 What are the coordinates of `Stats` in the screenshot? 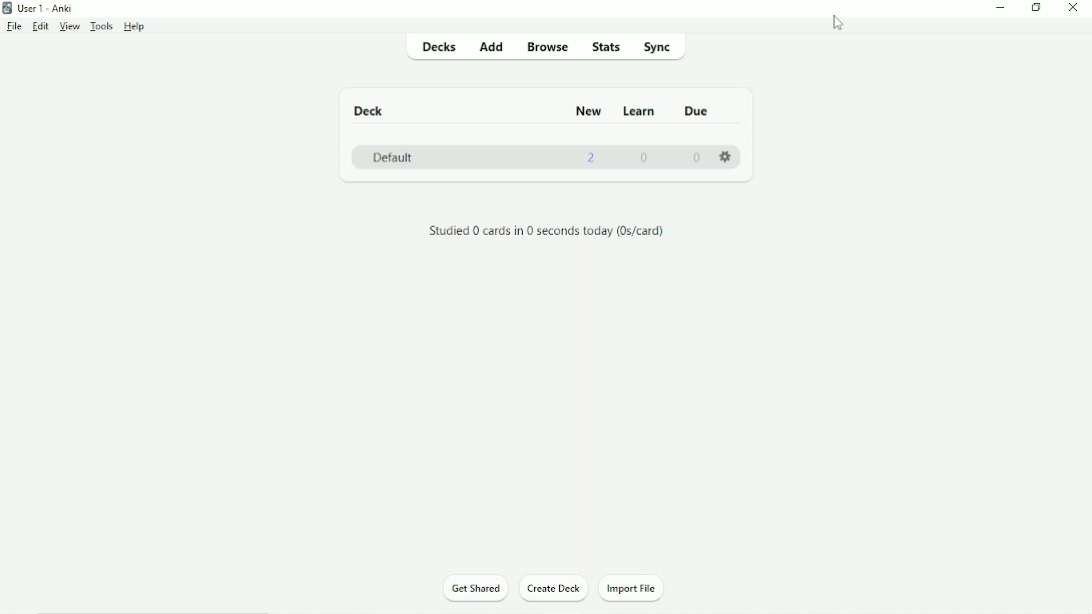 It's located at (607, 46).